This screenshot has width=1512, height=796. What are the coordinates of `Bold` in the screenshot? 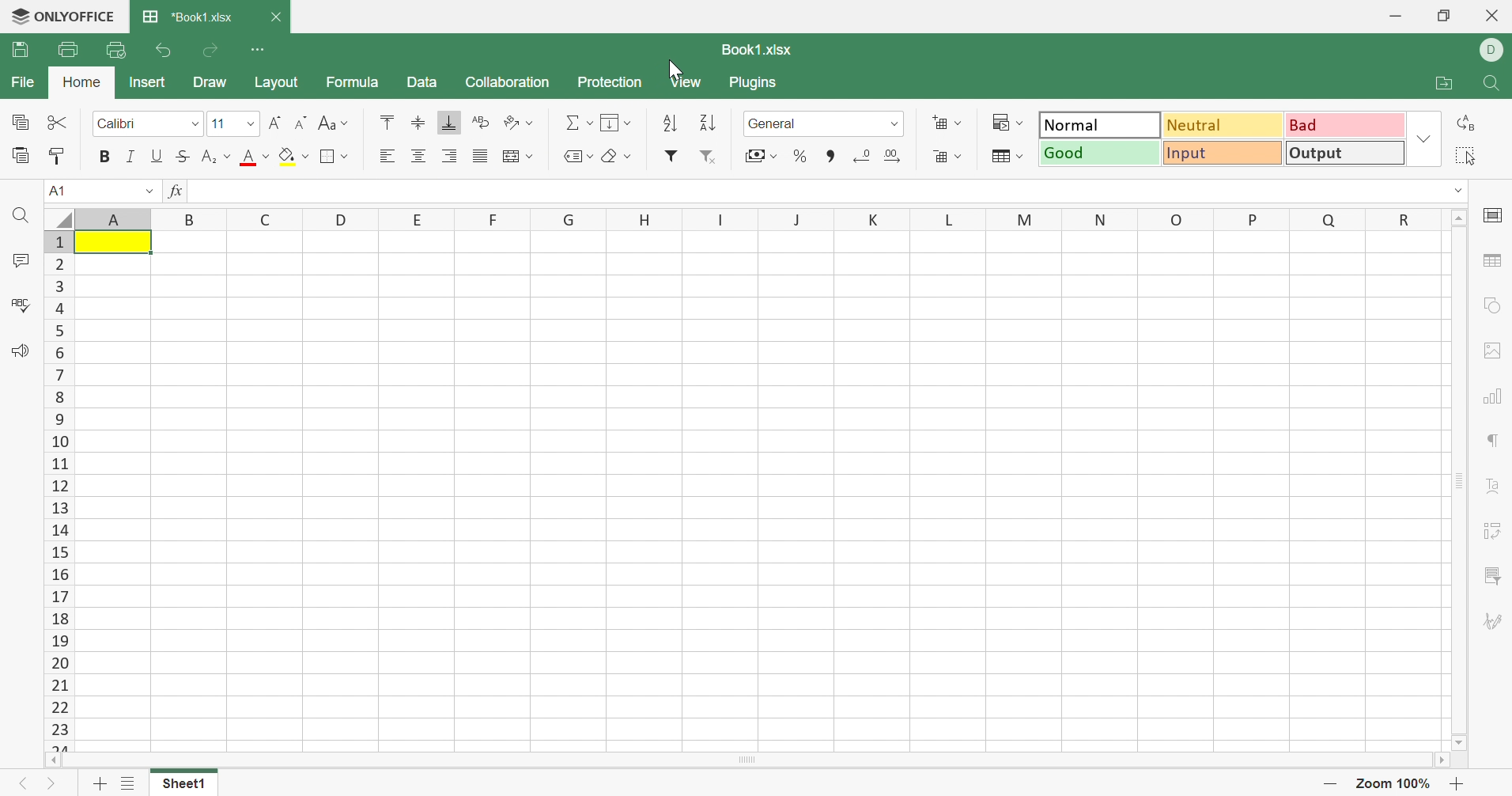 It's located at (103, 154).